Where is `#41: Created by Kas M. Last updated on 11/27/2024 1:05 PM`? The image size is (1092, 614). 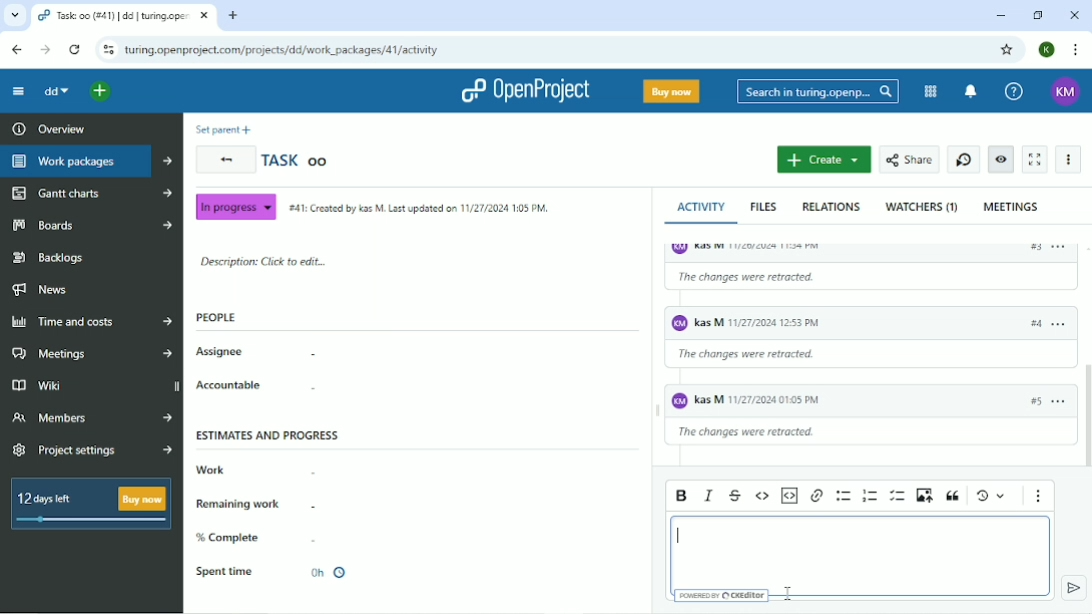 #41: Created by Kas M. Last updated on 11/27/2024 1:05 PM is located at coordinates (417, 207).